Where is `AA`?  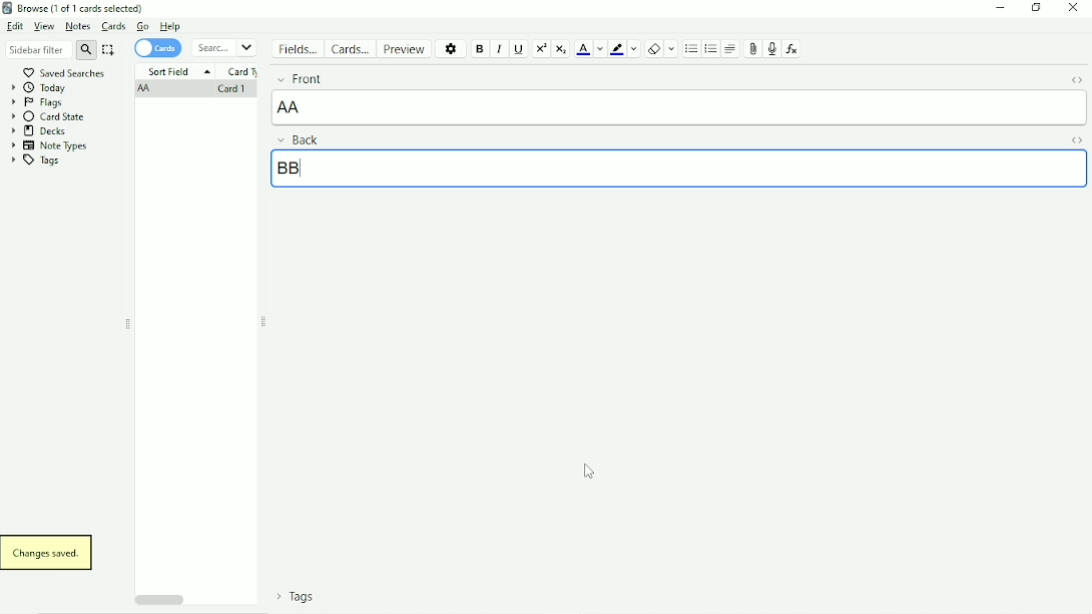 AA is located at coordinates (291, 107).